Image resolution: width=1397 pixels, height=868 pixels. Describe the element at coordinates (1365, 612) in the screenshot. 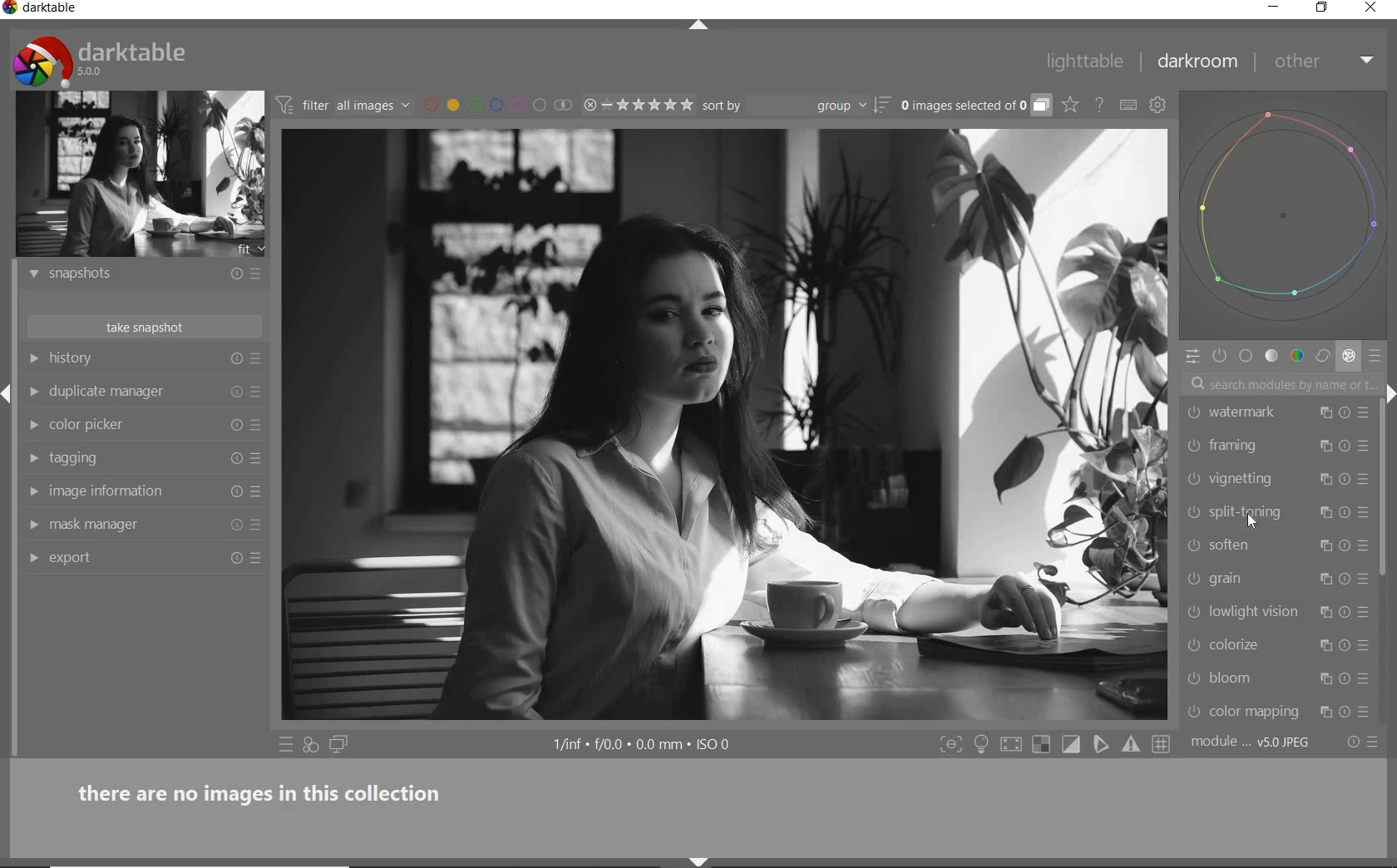

I see `preset and preferences` at that location.